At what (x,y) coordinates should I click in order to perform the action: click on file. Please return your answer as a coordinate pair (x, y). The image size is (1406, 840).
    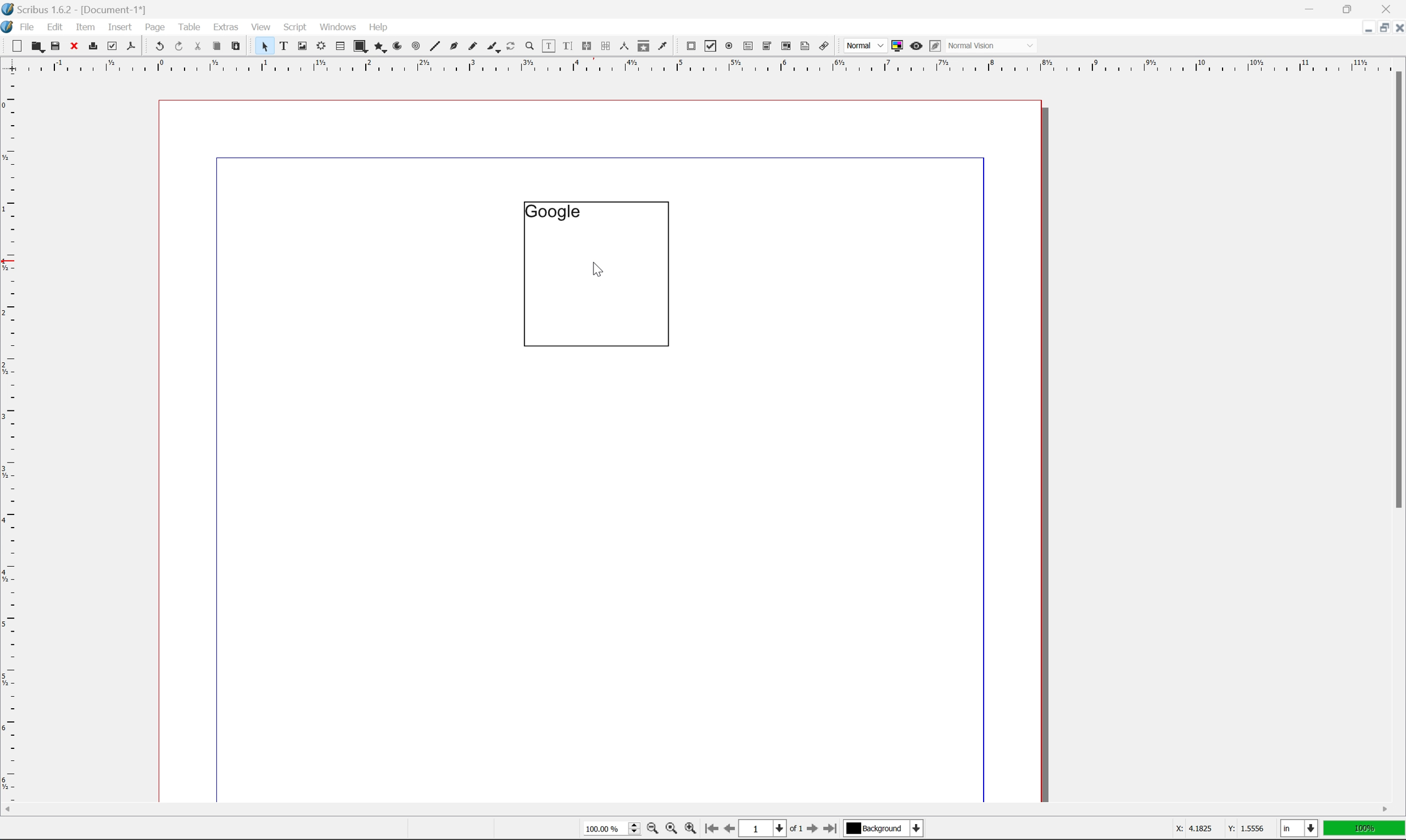
    Looking at the image, I should click on (28, 27).